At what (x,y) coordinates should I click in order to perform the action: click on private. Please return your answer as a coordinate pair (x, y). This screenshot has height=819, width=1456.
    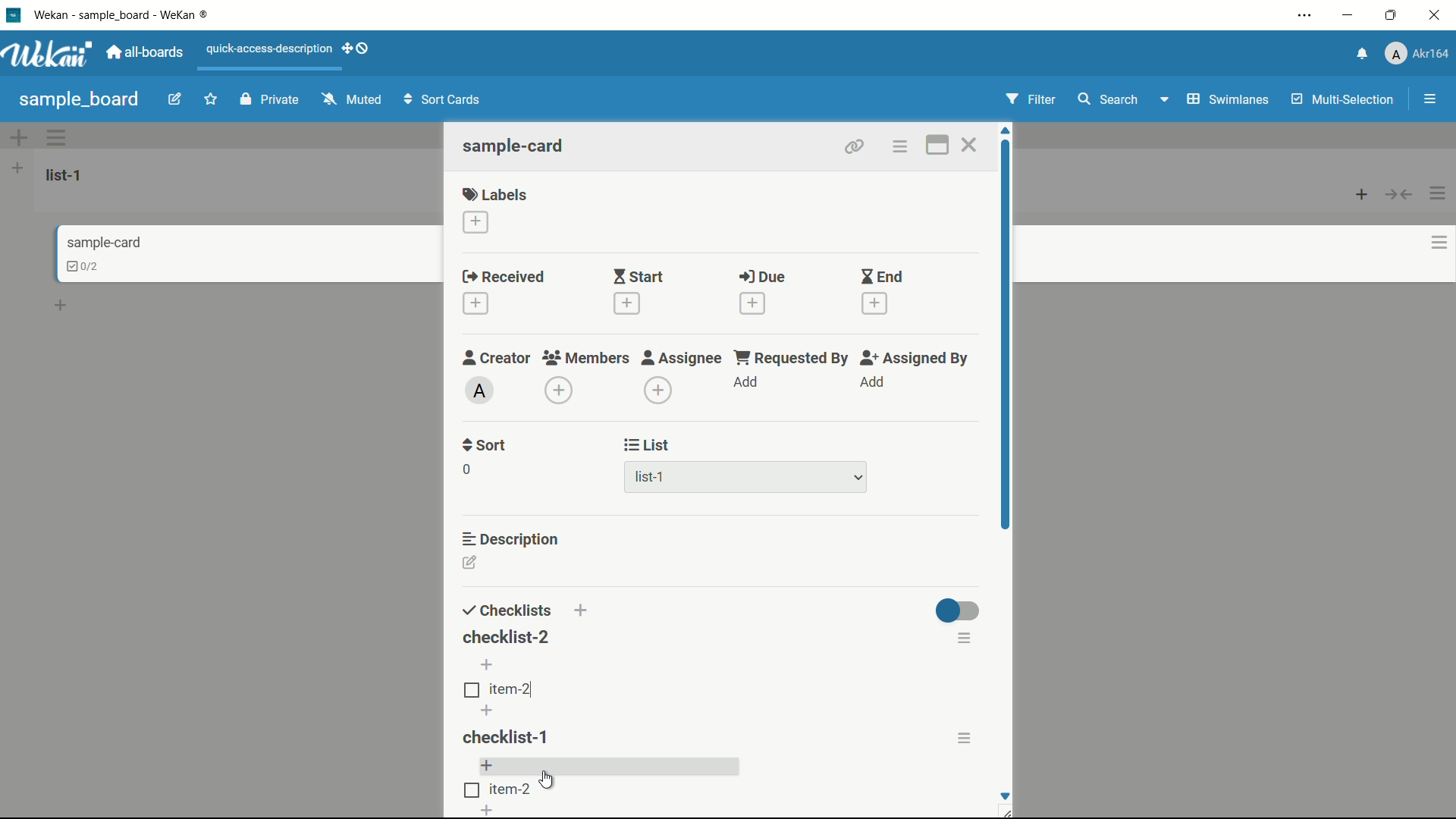
    Looking at the image, I should click on (270, 101).